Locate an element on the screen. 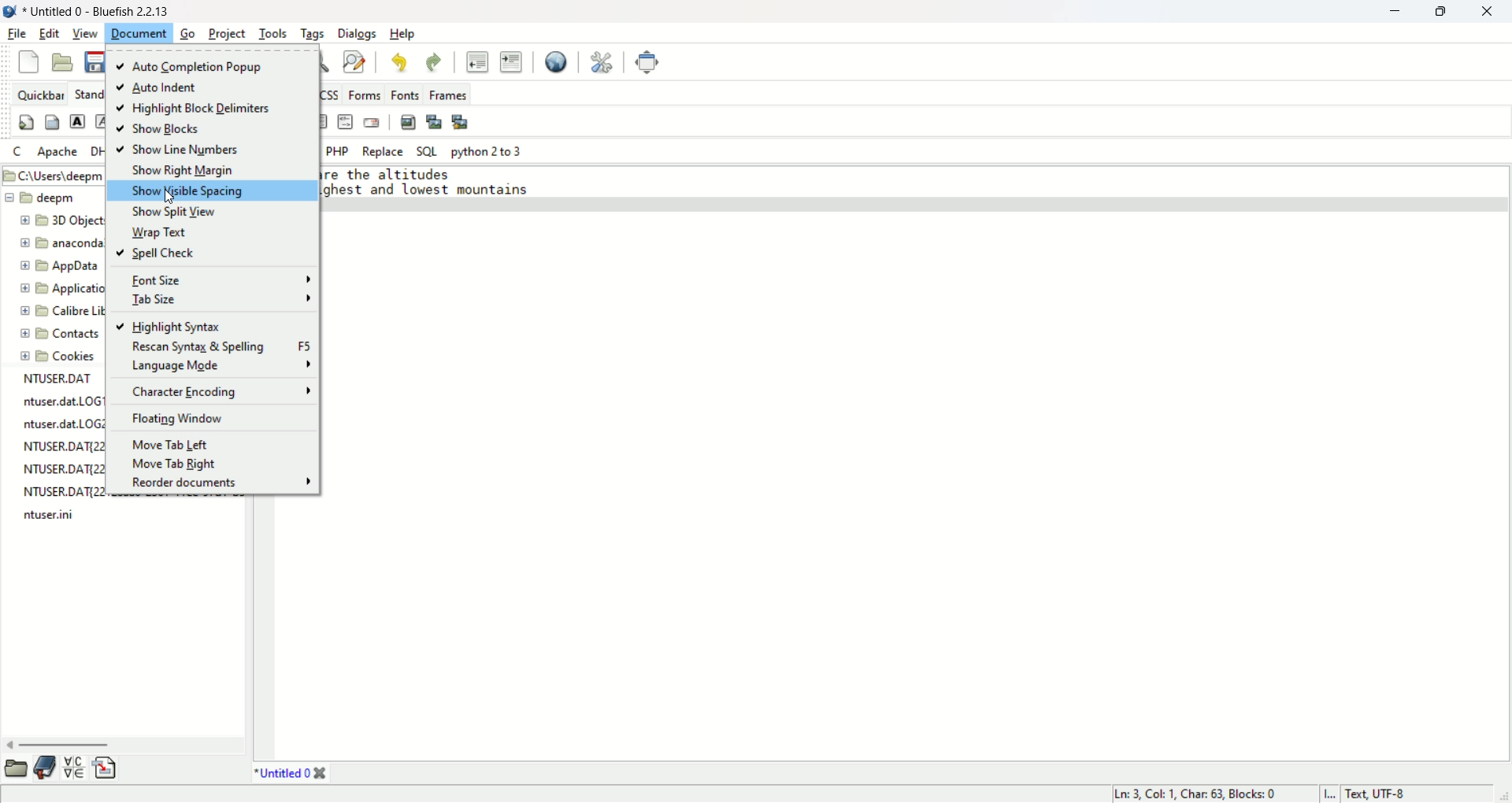 This screenshot has height=803, width=1512. fonts is located at coordinates (406, 94).